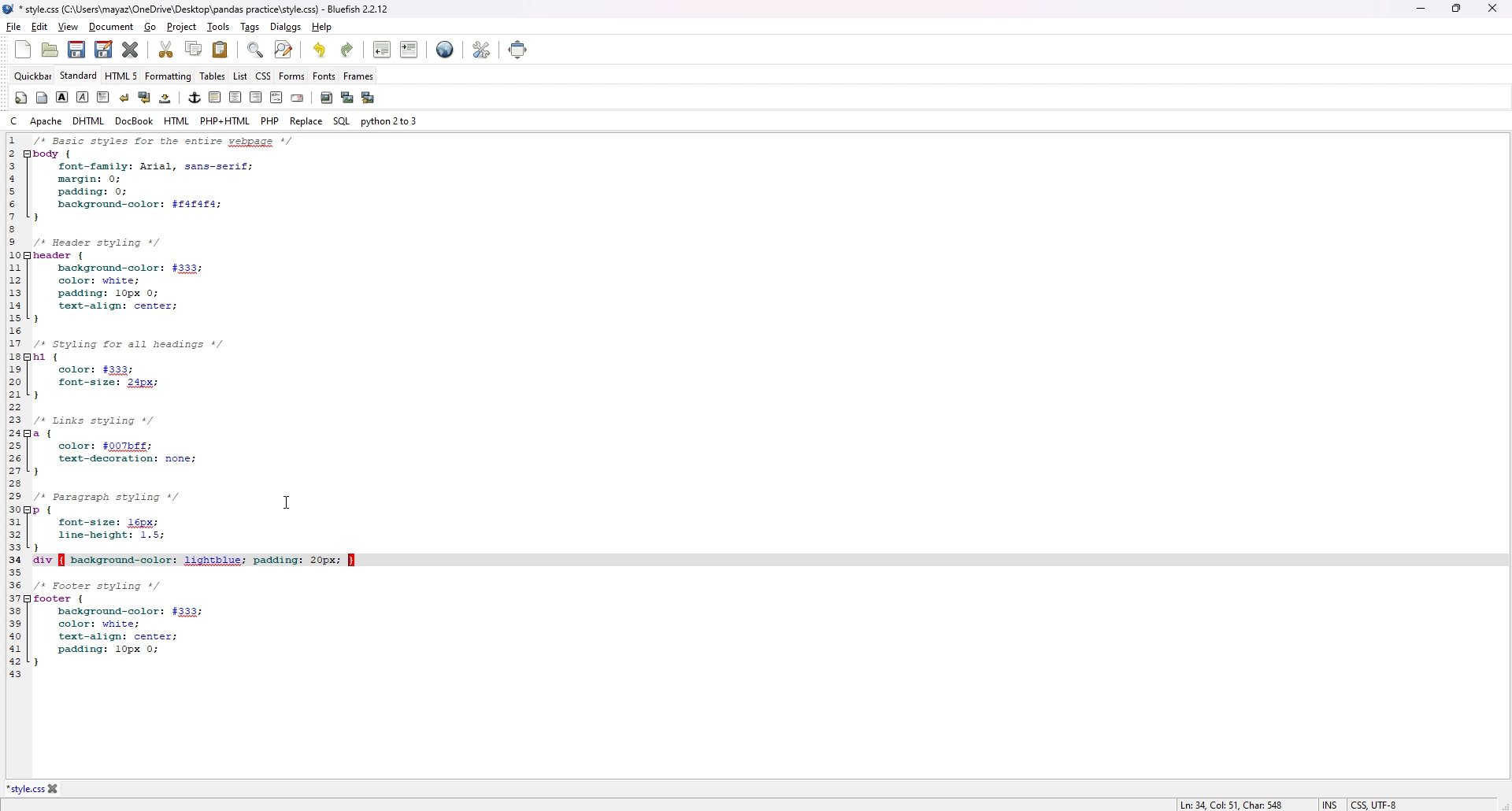 This screenshot has height=811, width=1512. I want to click on replace, so click(306, 122).